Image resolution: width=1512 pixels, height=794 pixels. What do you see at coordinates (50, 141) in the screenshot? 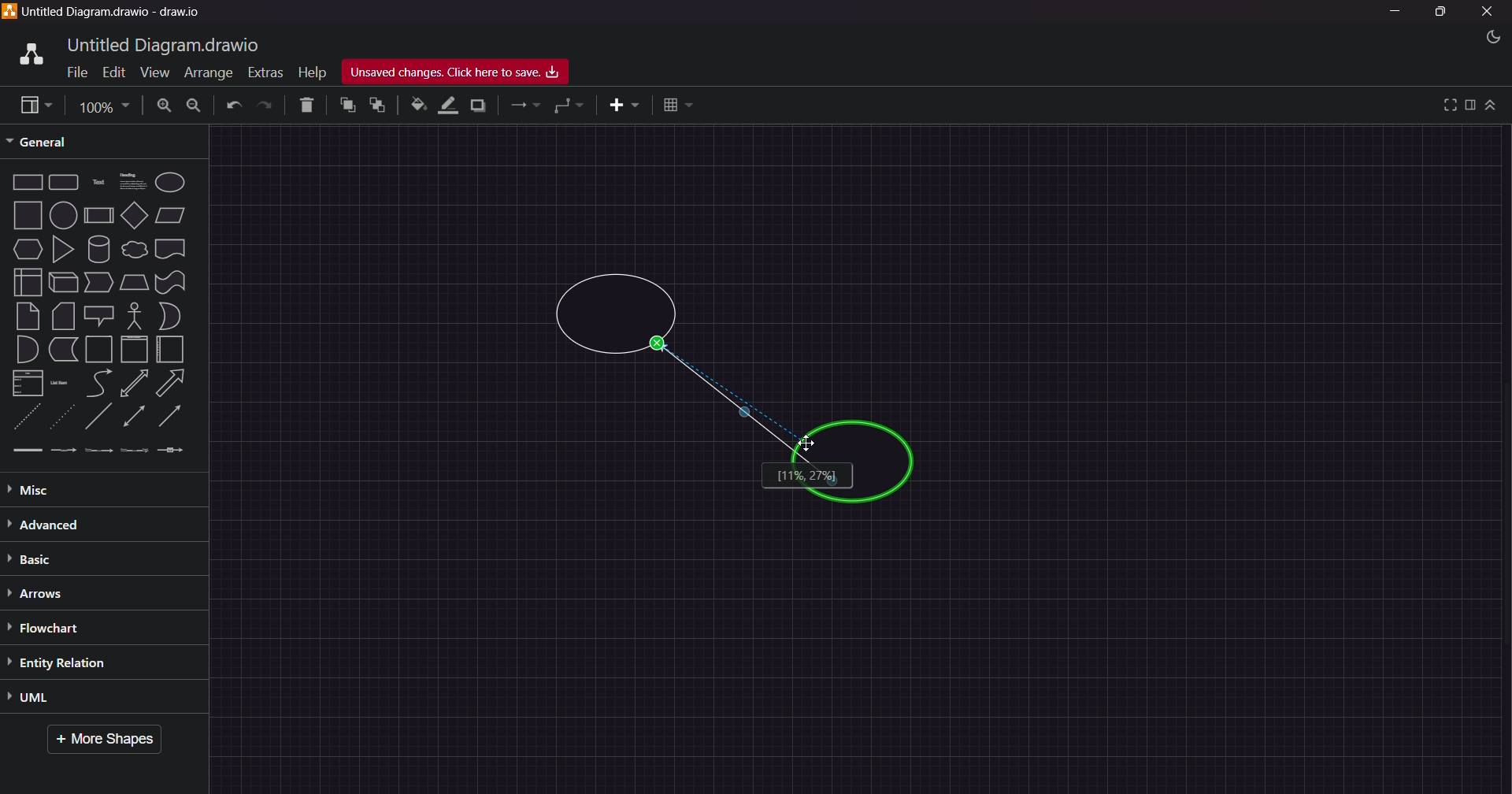
I see `General` at bounding box center [50, 141].